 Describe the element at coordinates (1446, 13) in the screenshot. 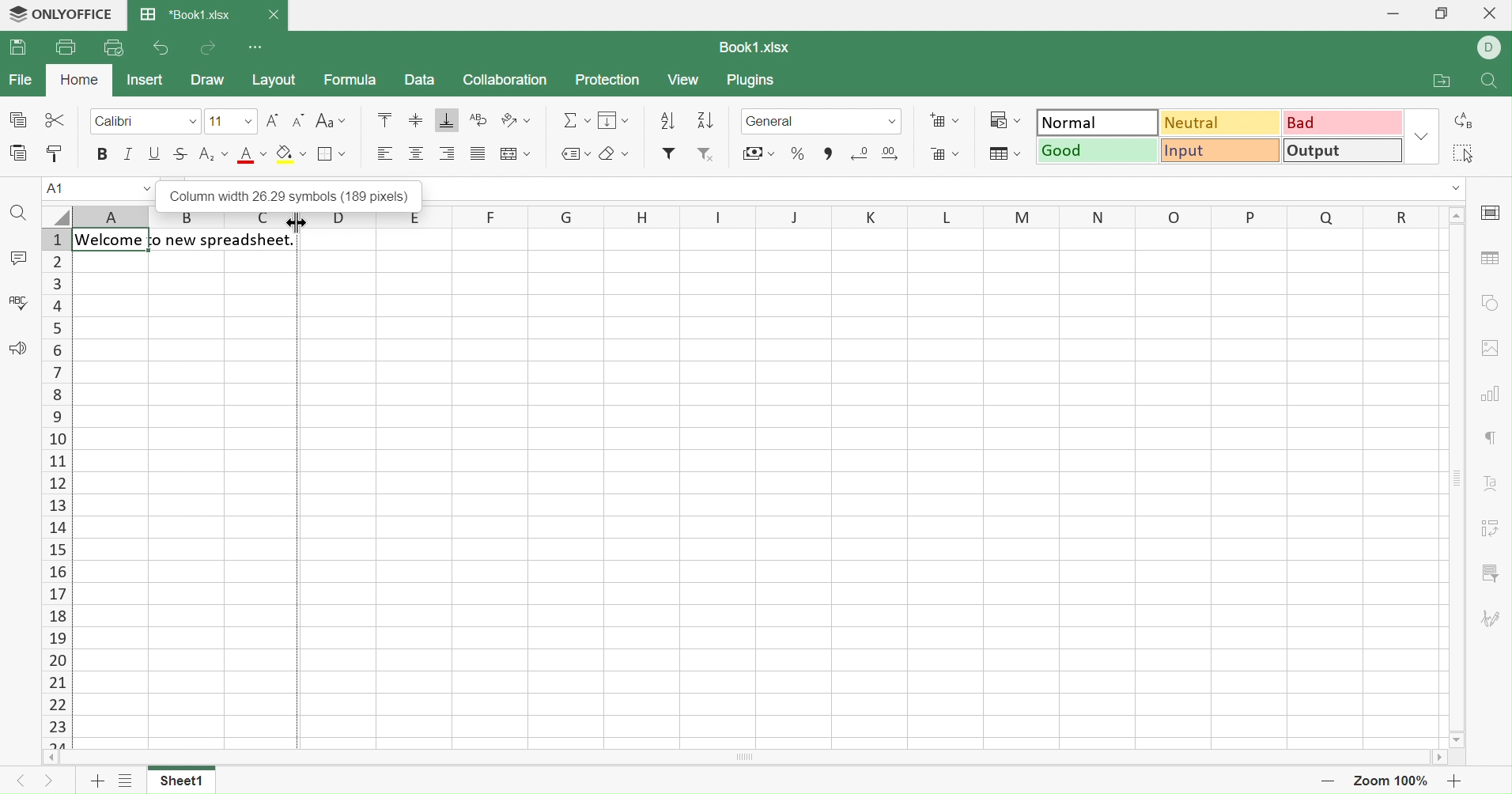

I see `Restore Down` at that location.